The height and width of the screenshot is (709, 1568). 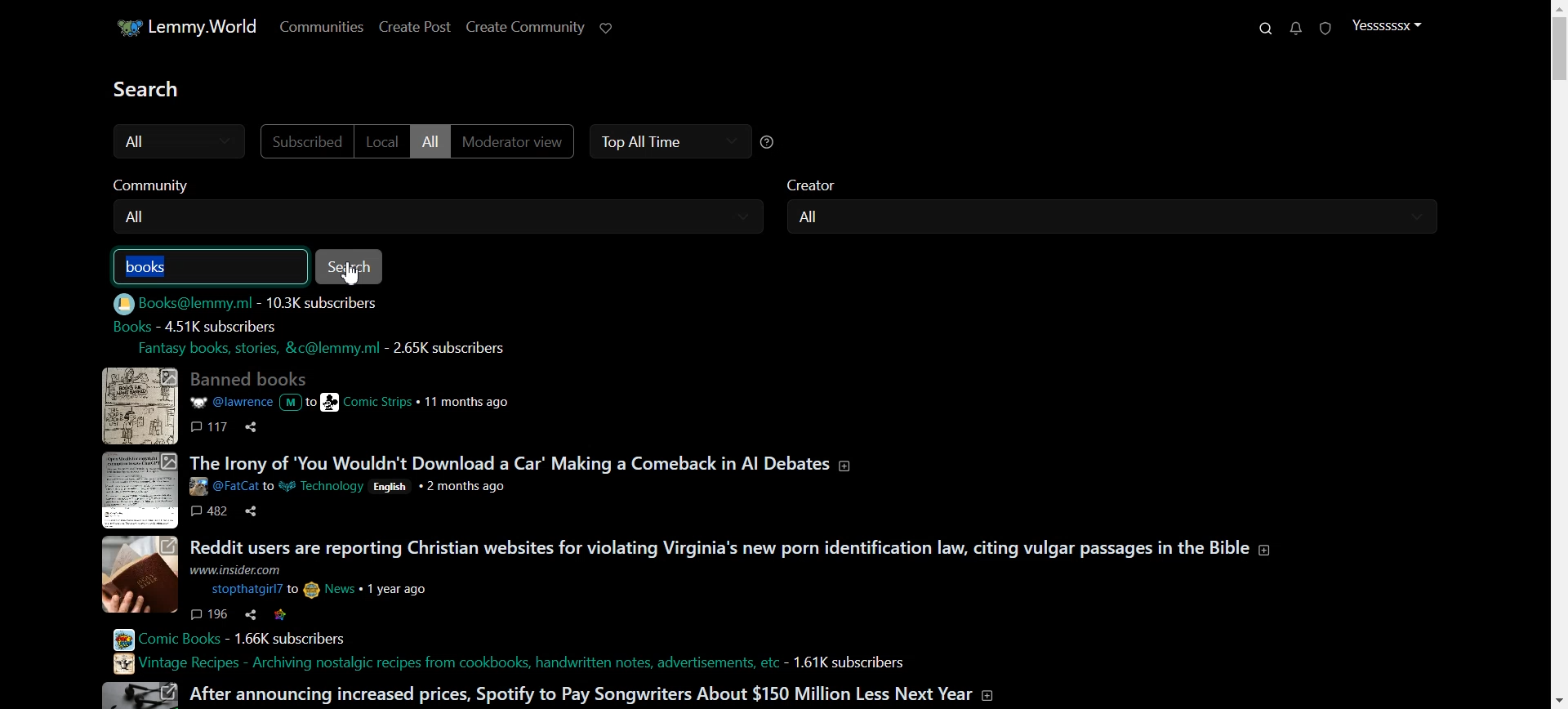 What do you see at coordinates (1266, 29) in the screenshot?
I see `Search` at bounding box center [1266, 29].